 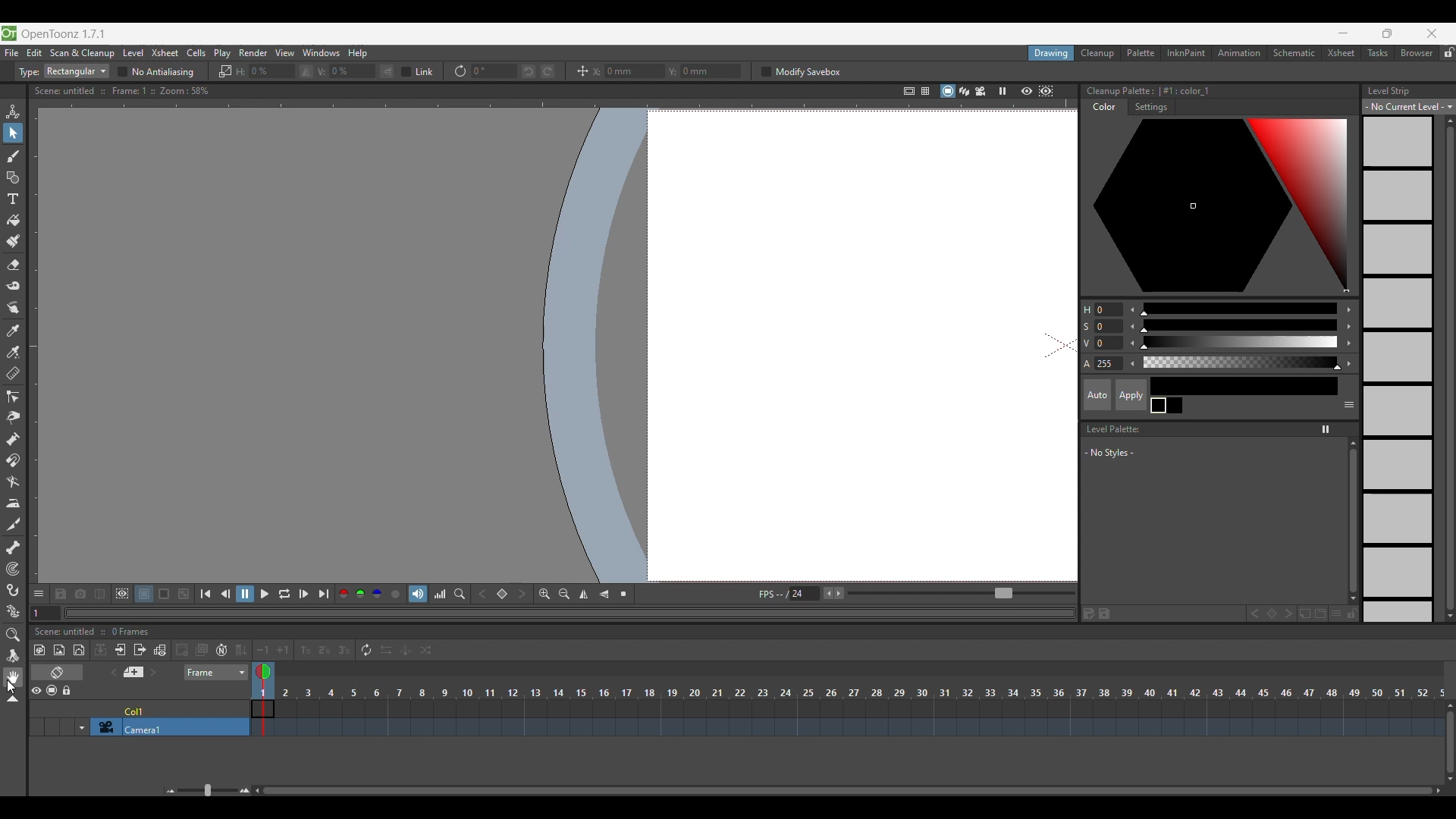 What do you see at coordinates (366, 650) in the screenshot?
I see `Repeat` at bounding box center [366, 650].